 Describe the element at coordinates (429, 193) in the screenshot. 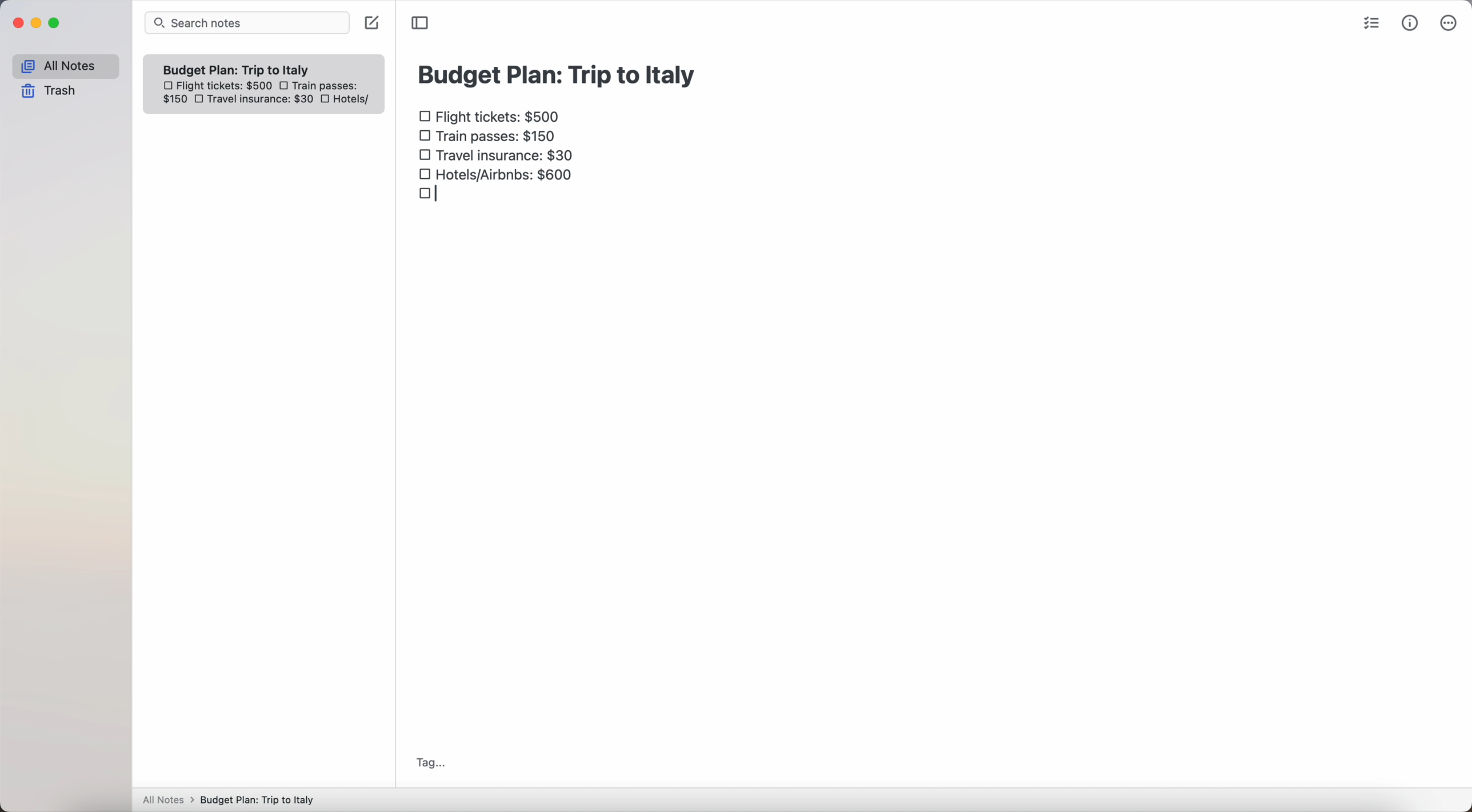

I see `checkbox` at that location.